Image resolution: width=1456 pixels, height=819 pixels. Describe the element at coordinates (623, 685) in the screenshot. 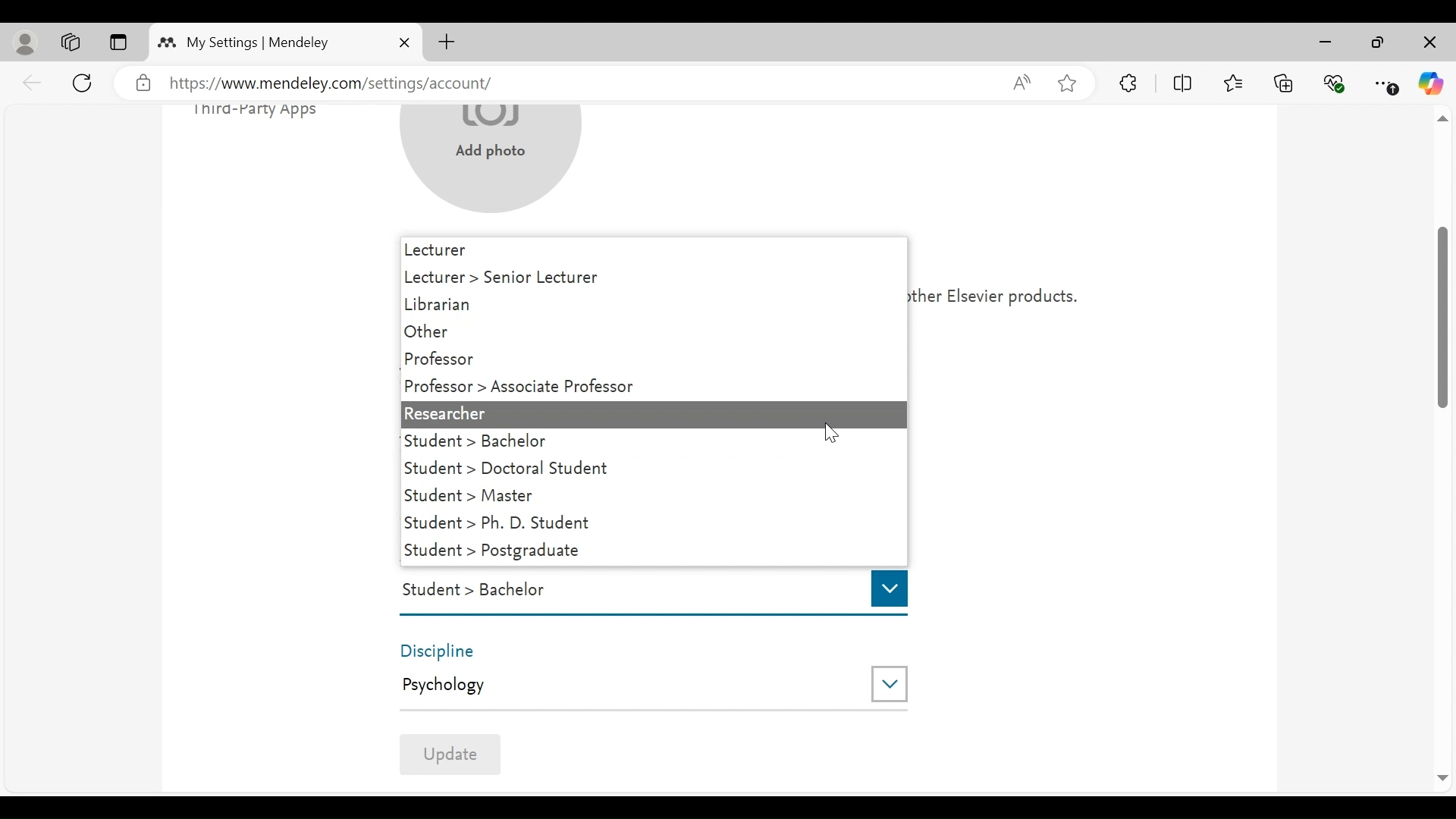

I see `Psychology` at that location.